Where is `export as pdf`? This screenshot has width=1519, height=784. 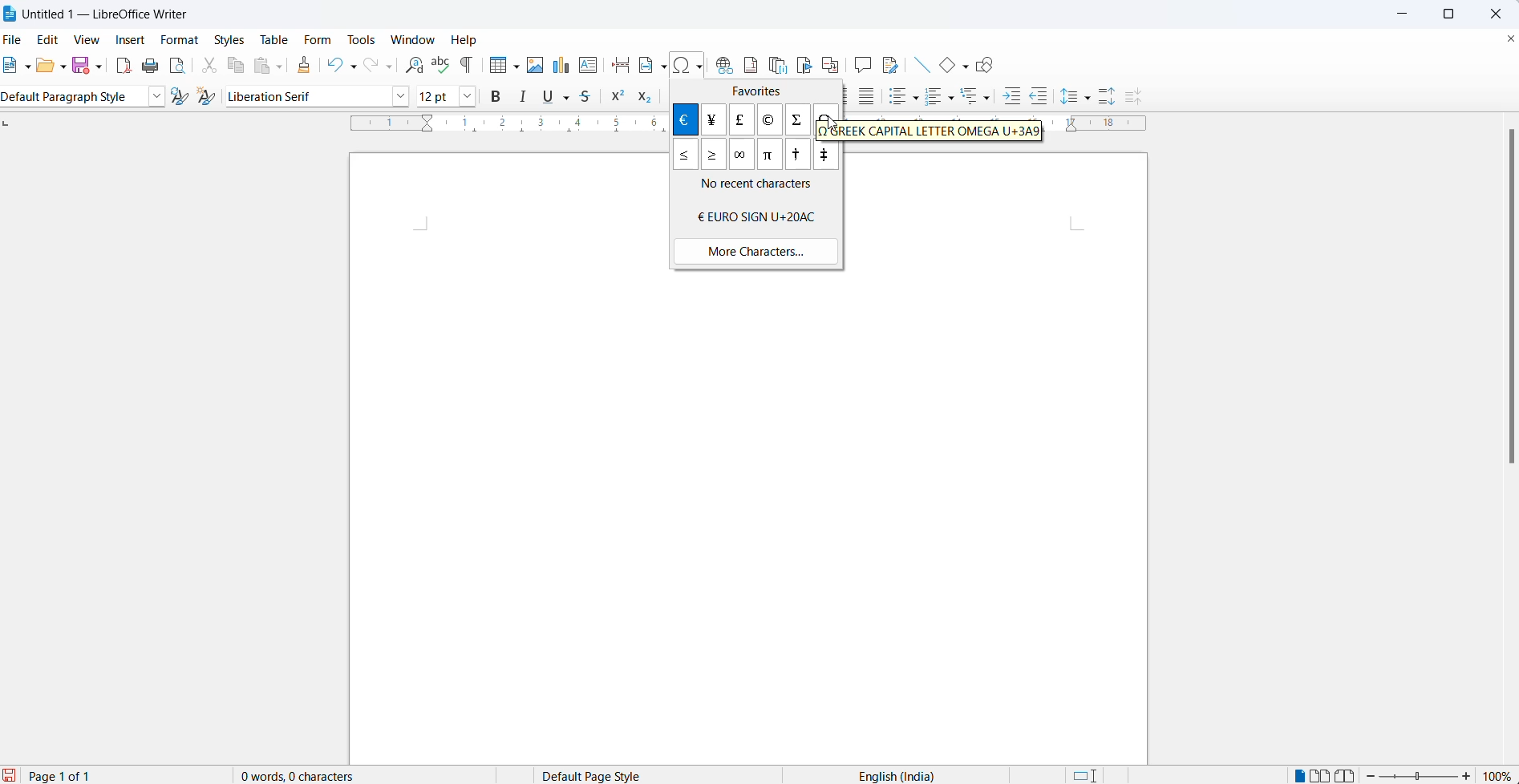
export as pdf is located at coordinates (120, 66).